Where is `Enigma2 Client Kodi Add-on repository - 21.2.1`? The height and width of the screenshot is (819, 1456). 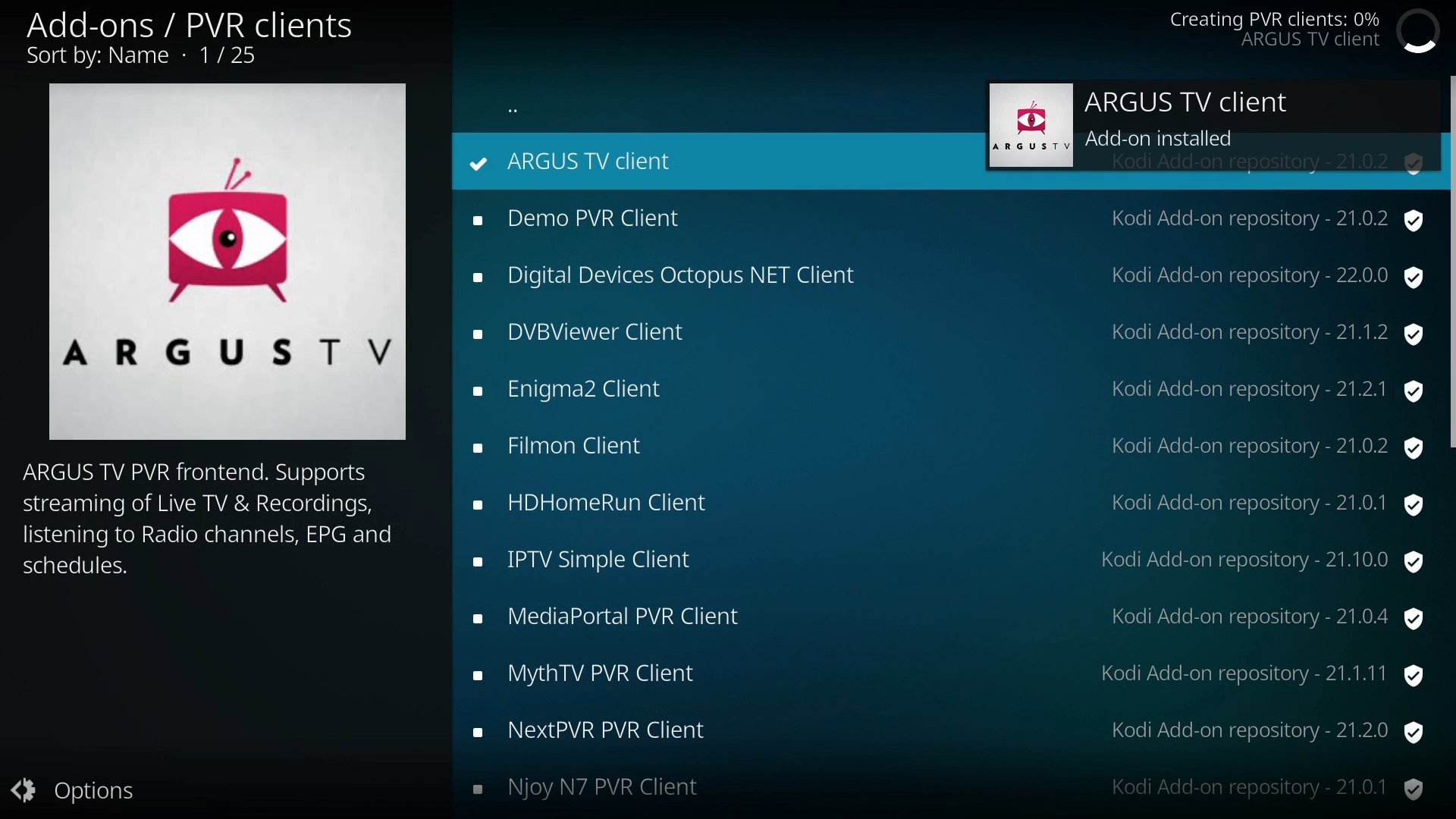
Enigma2 Client Kodi Add-on repository - 21.2.1 is located at coordinates (948, 391).